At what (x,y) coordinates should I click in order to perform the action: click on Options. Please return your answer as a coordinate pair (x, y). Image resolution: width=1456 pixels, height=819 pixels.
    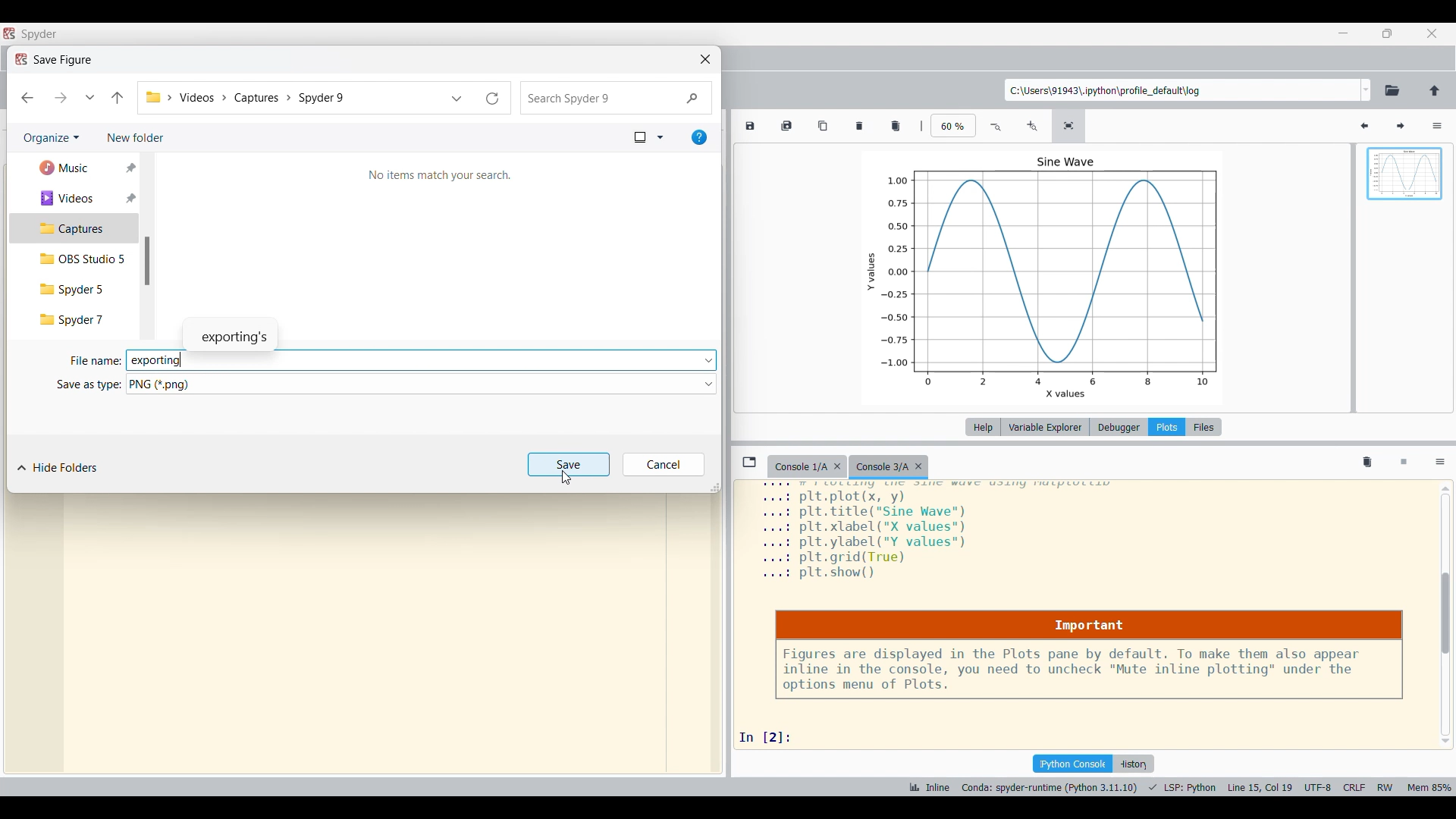
    Looking at the image, I should click on (1441, 463).